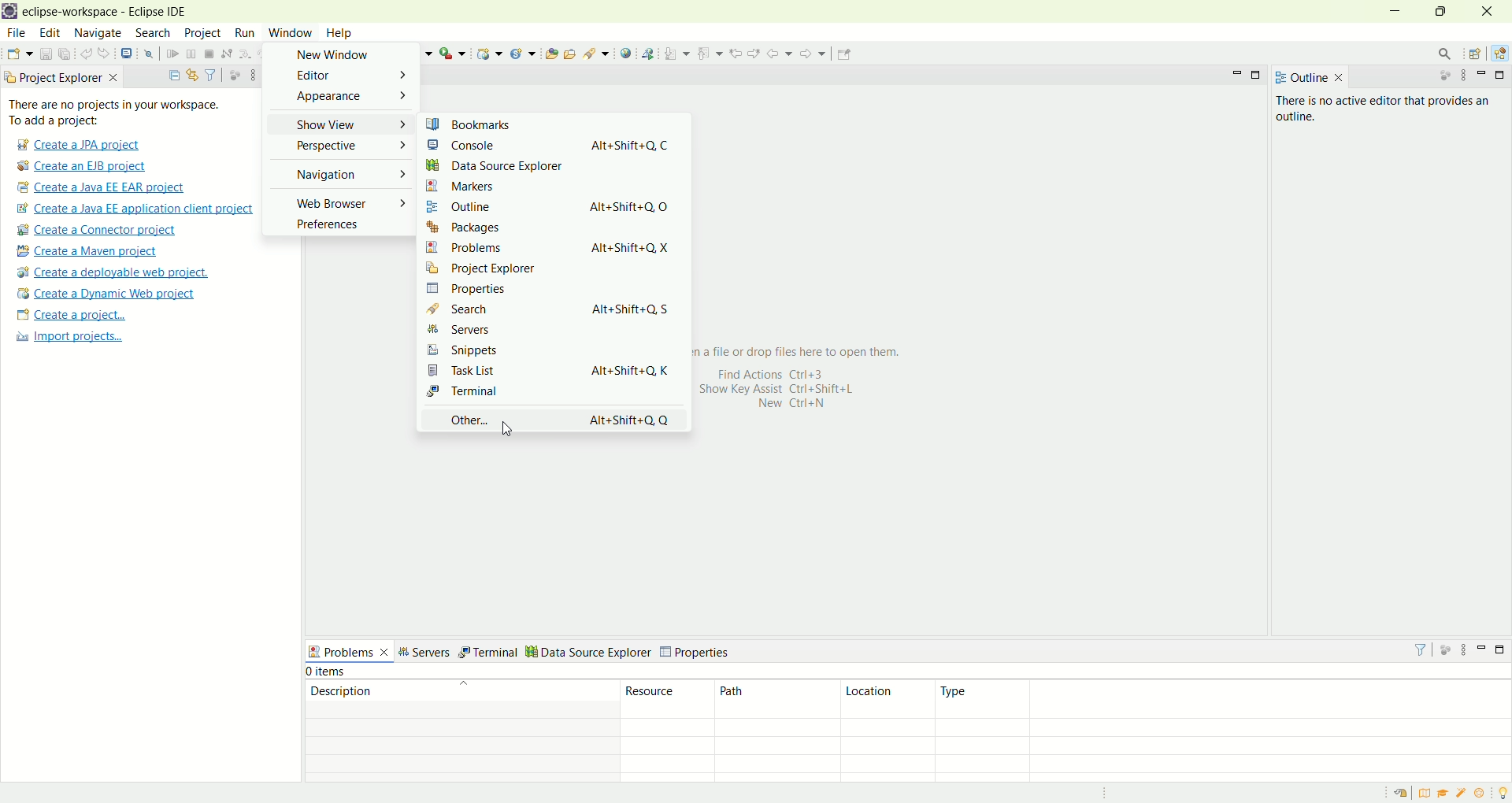 This screenshot has width=1512, height=803. Describe the element at coordinates (488, 350) in the screenshot. I see `snippets` at that location.